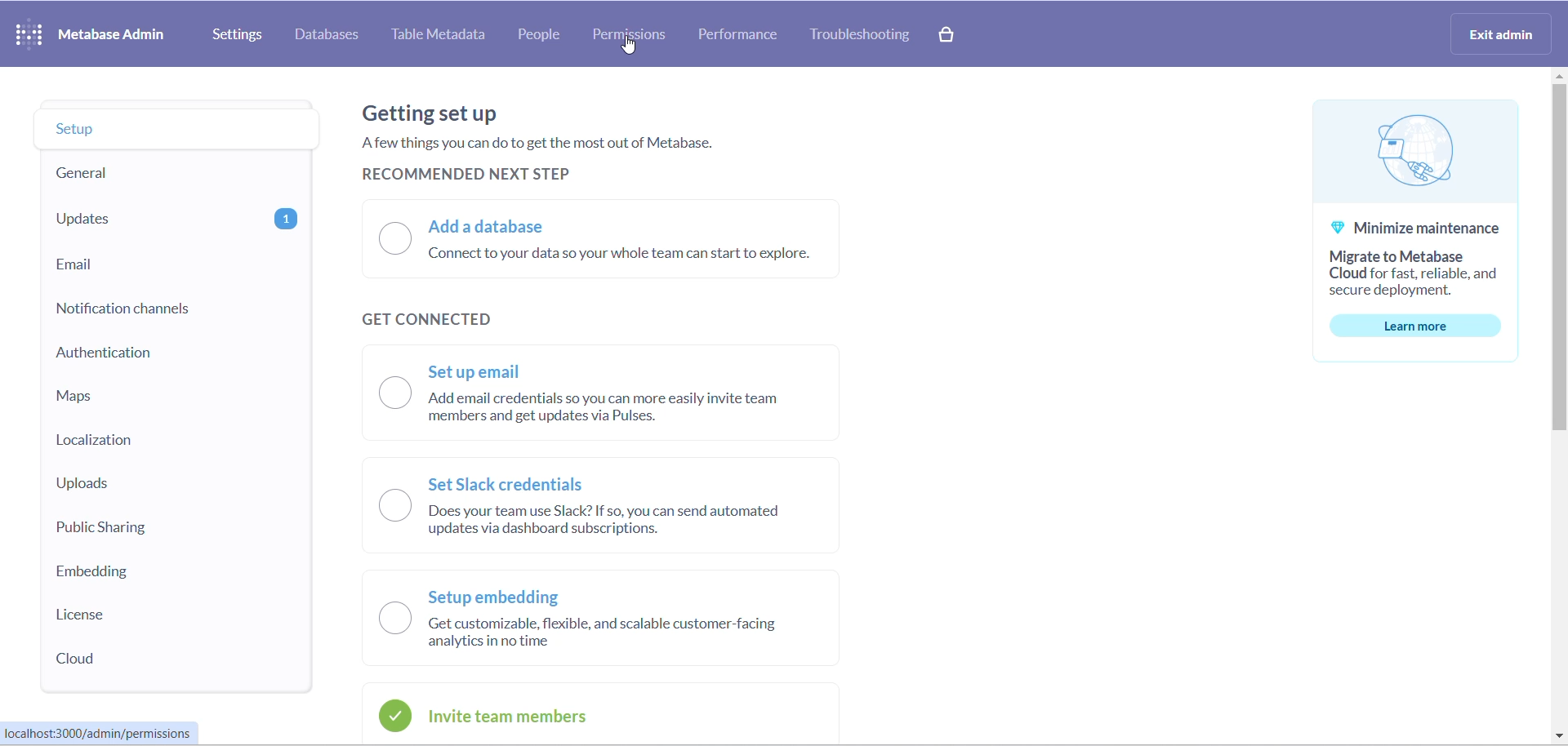 The width and height of the screenshot is (1568, 746). Describe the element at coordinates (445, 36) in the screenshot. I see `table metadata` at that location.